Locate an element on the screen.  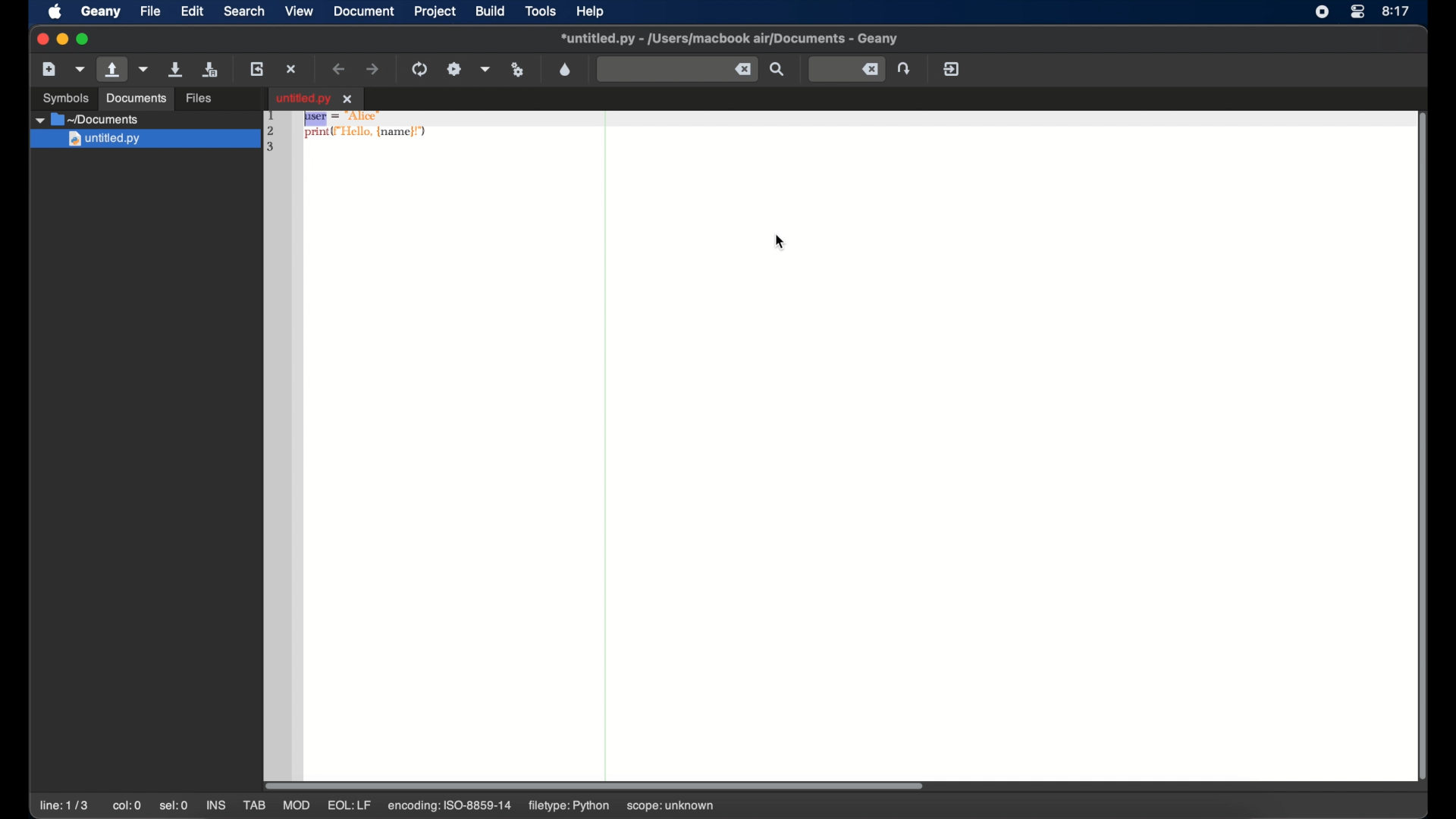
encoding is located at coordinates (450, 807).